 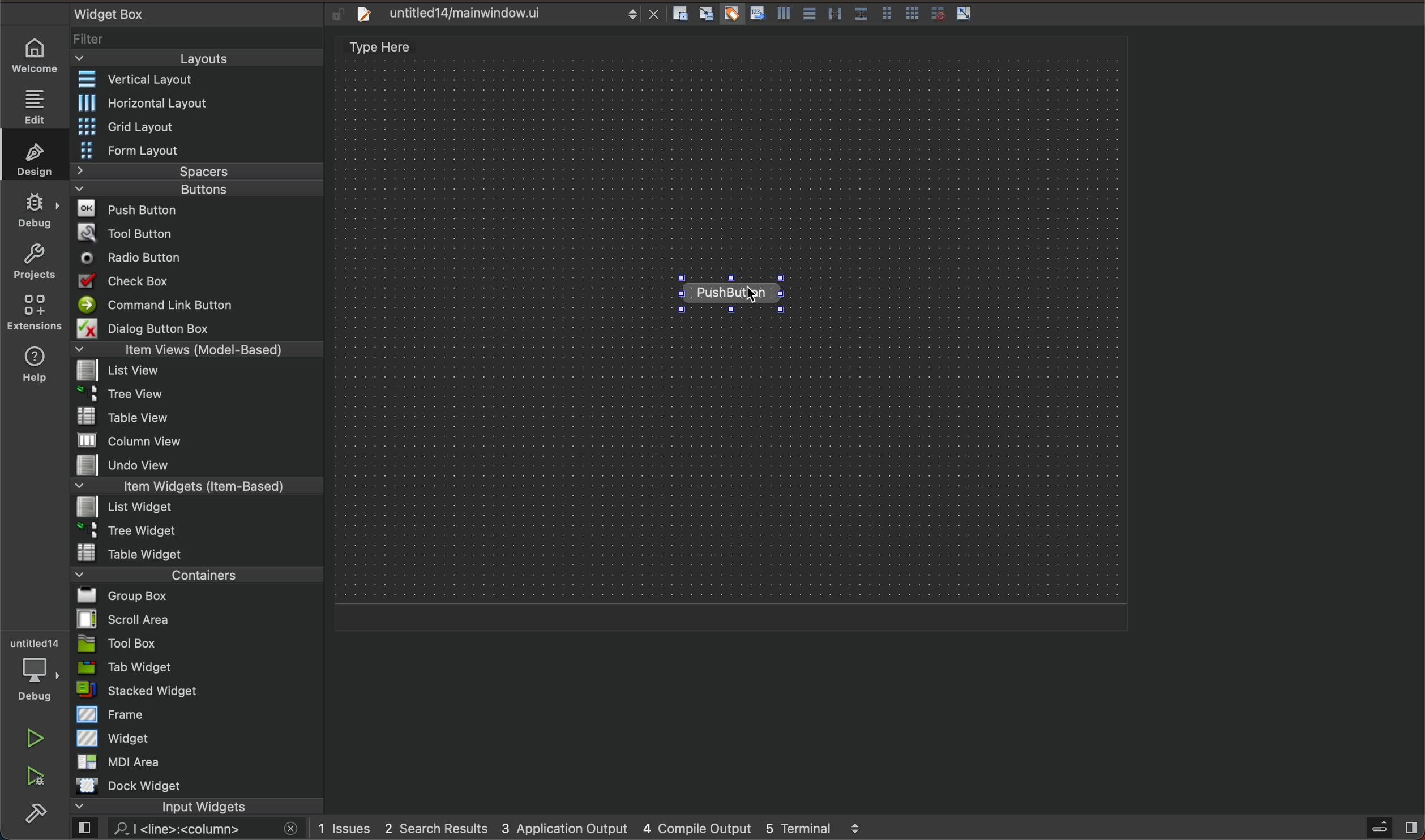 I want to click on 2 serch result, so click(x=439, y=828).